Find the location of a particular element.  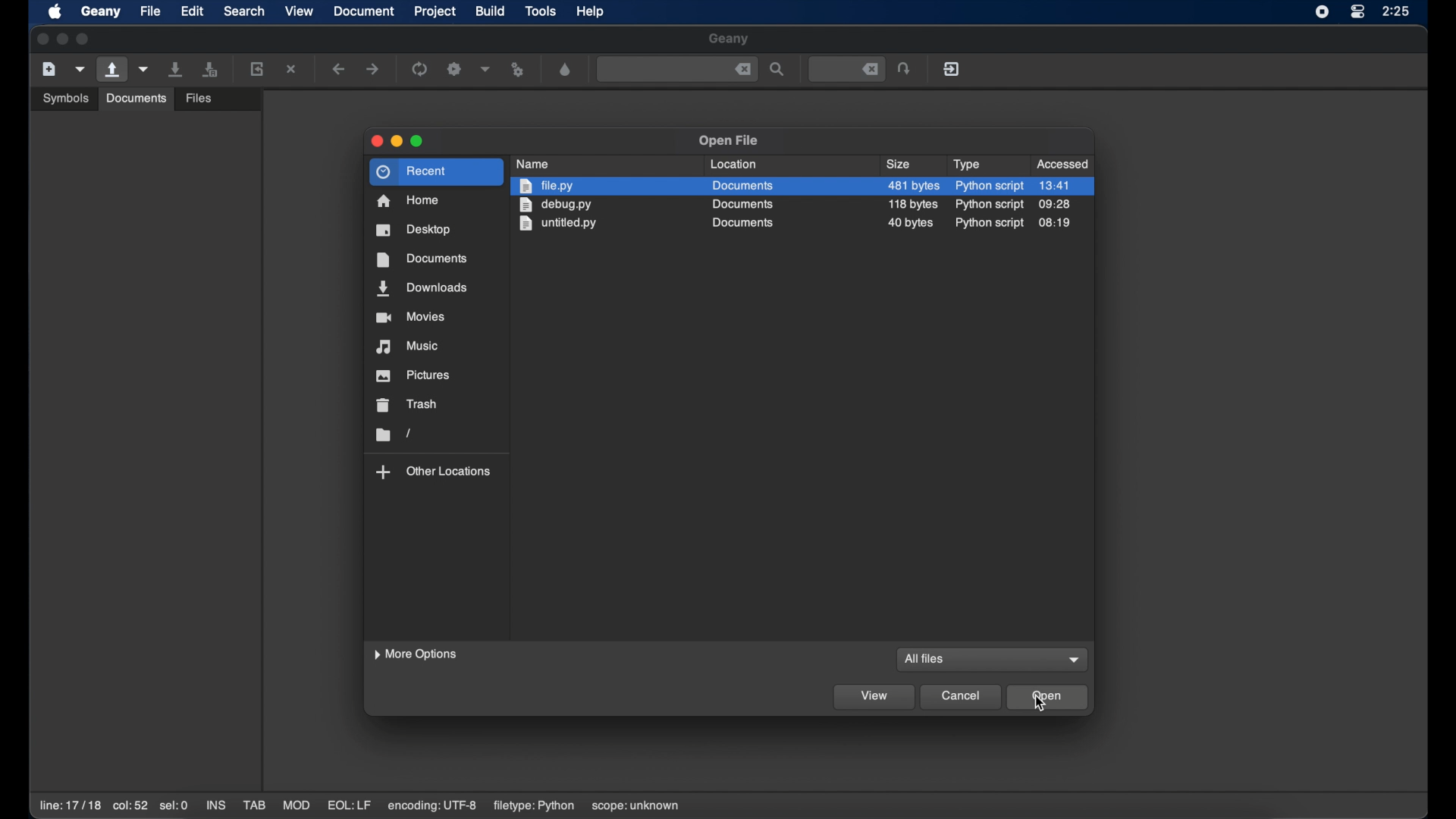

debug.py is located at coordinates (554, 204).